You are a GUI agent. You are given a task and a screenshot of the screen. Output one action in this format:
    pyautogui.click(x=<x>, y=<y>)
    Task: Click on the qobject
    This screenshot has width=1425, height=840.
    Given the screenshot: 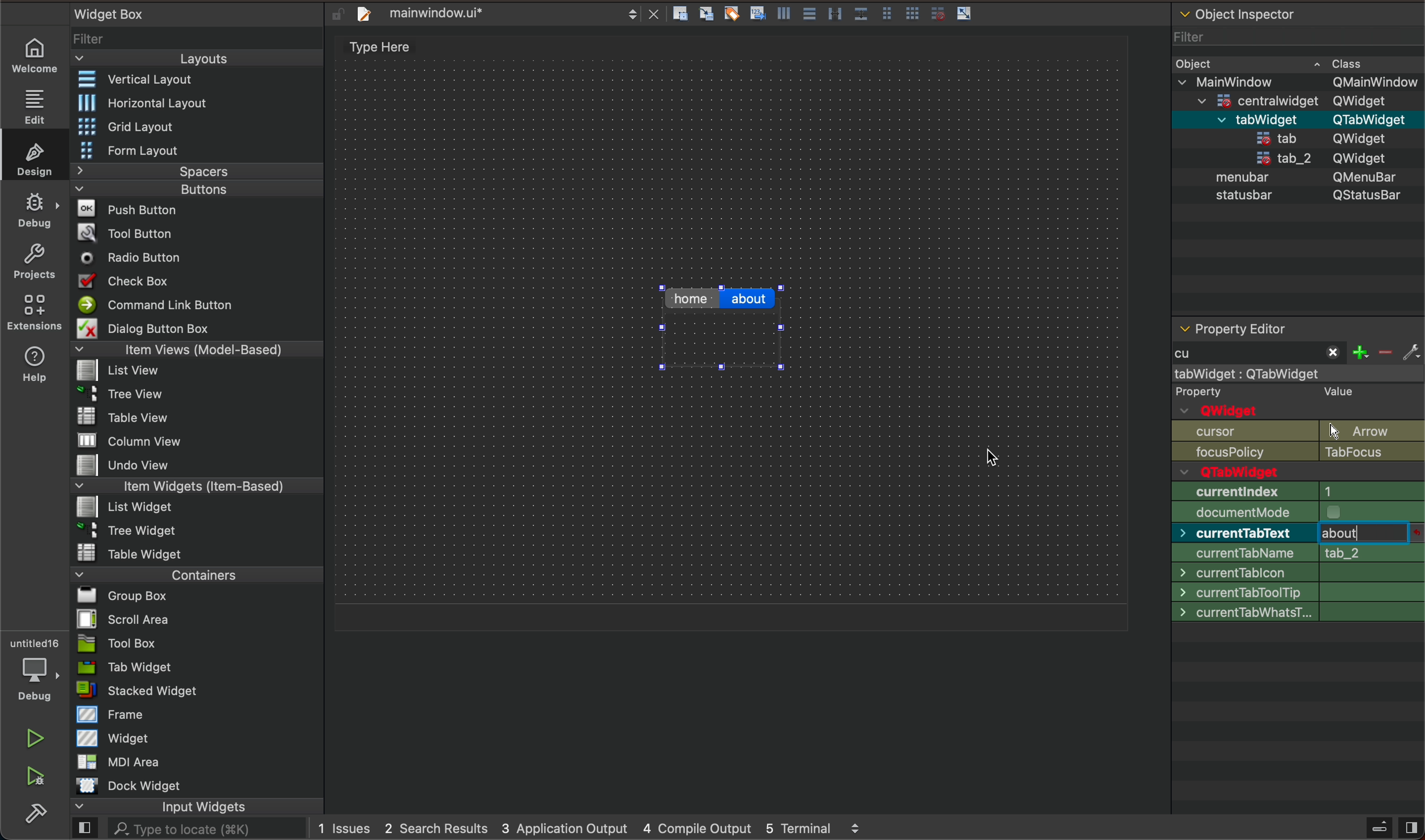 What is the action you would take?
    pyautogui.click(x=1295, y=400)
    